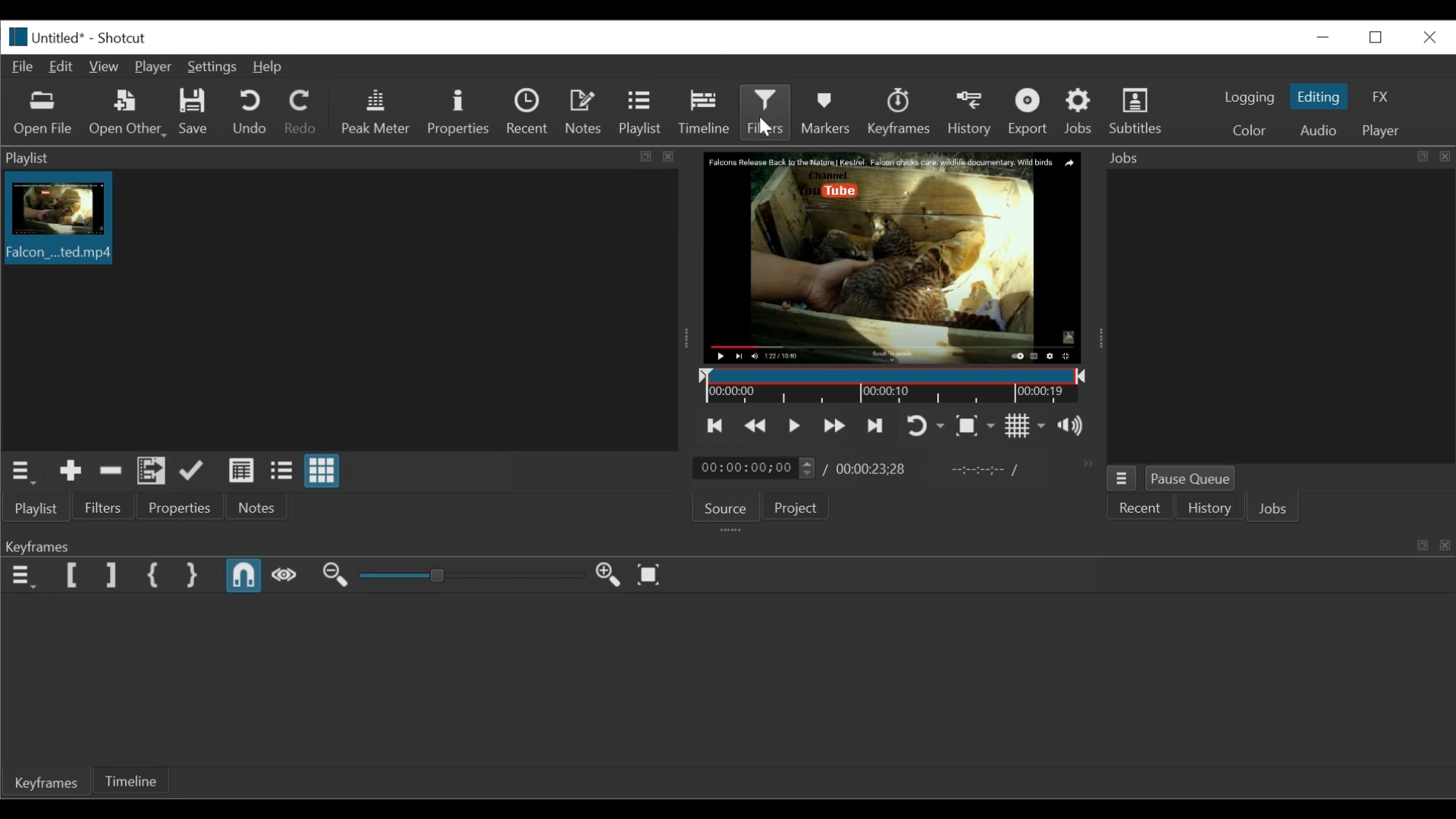 The image size is (1456, 819). What do you see at coordinates (1320, 96) in the screenshot?
I see `Editing` at bounding box center [1320, 96].